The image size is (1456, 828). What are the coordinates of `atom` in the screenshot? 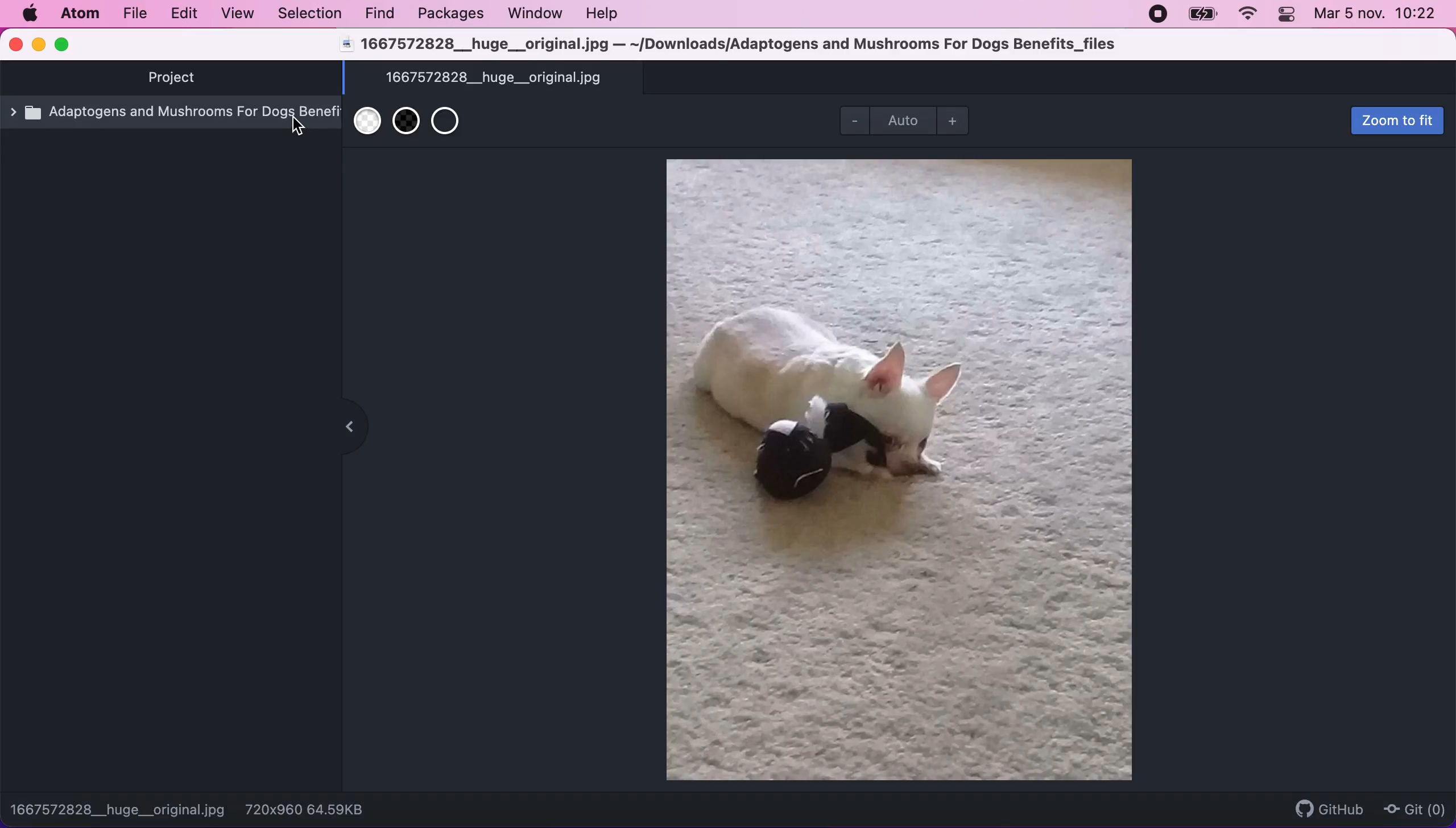 It's located at (79, 13).